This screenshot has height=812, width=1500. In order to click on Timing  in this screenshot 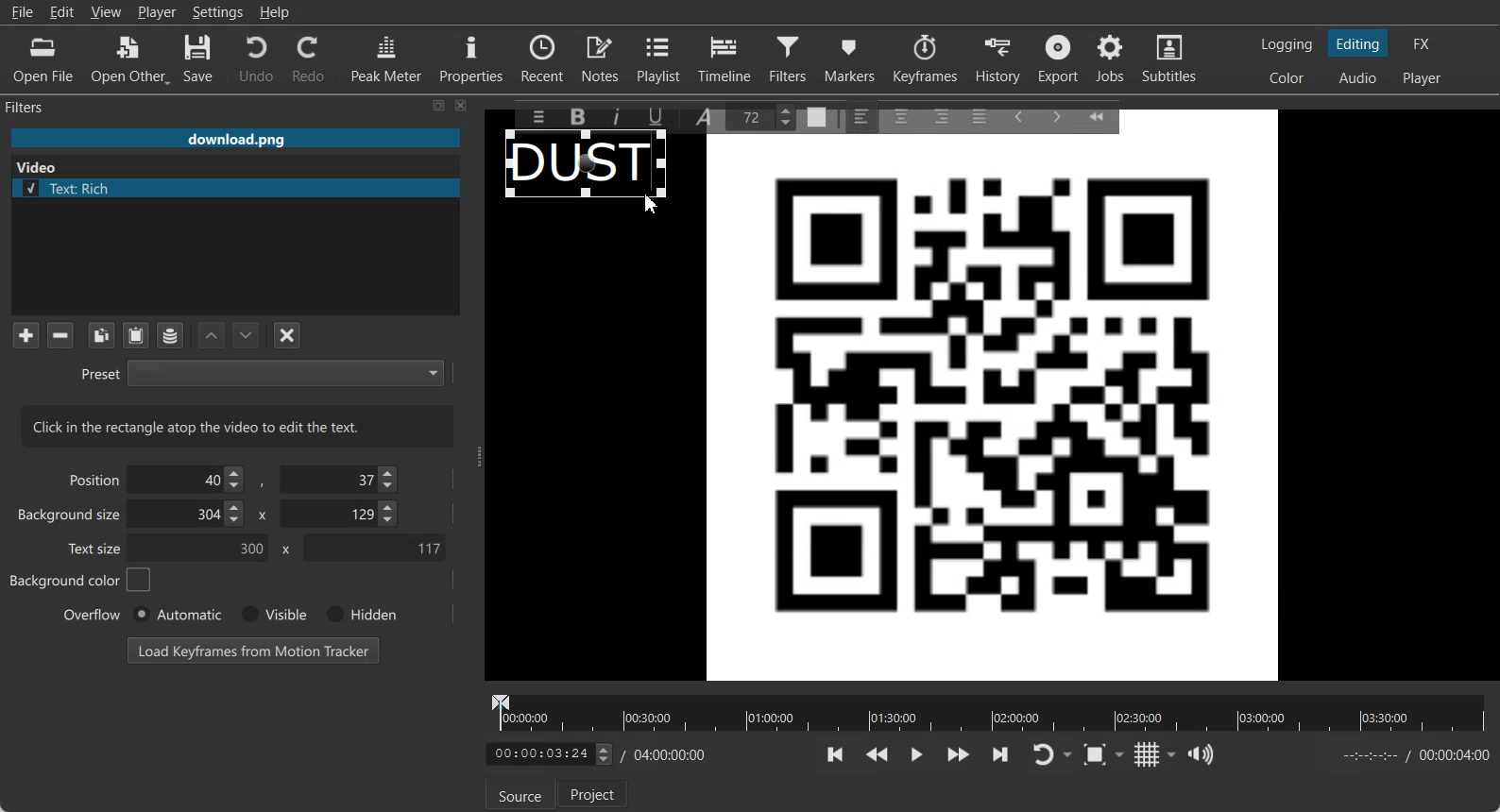, I will do `click(665, 756)`.